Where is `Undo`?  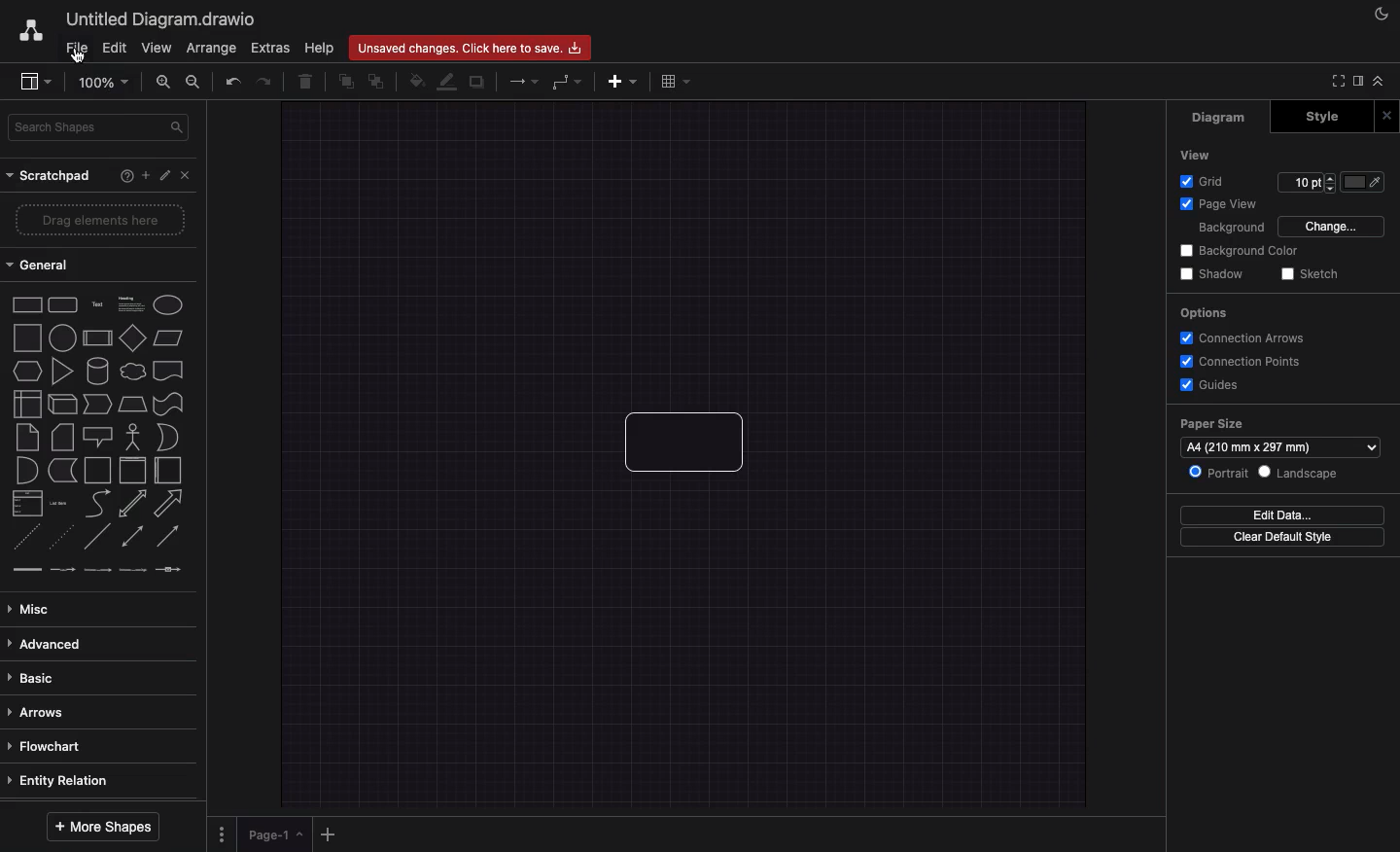 Undo is located at coordinates (231, 82).